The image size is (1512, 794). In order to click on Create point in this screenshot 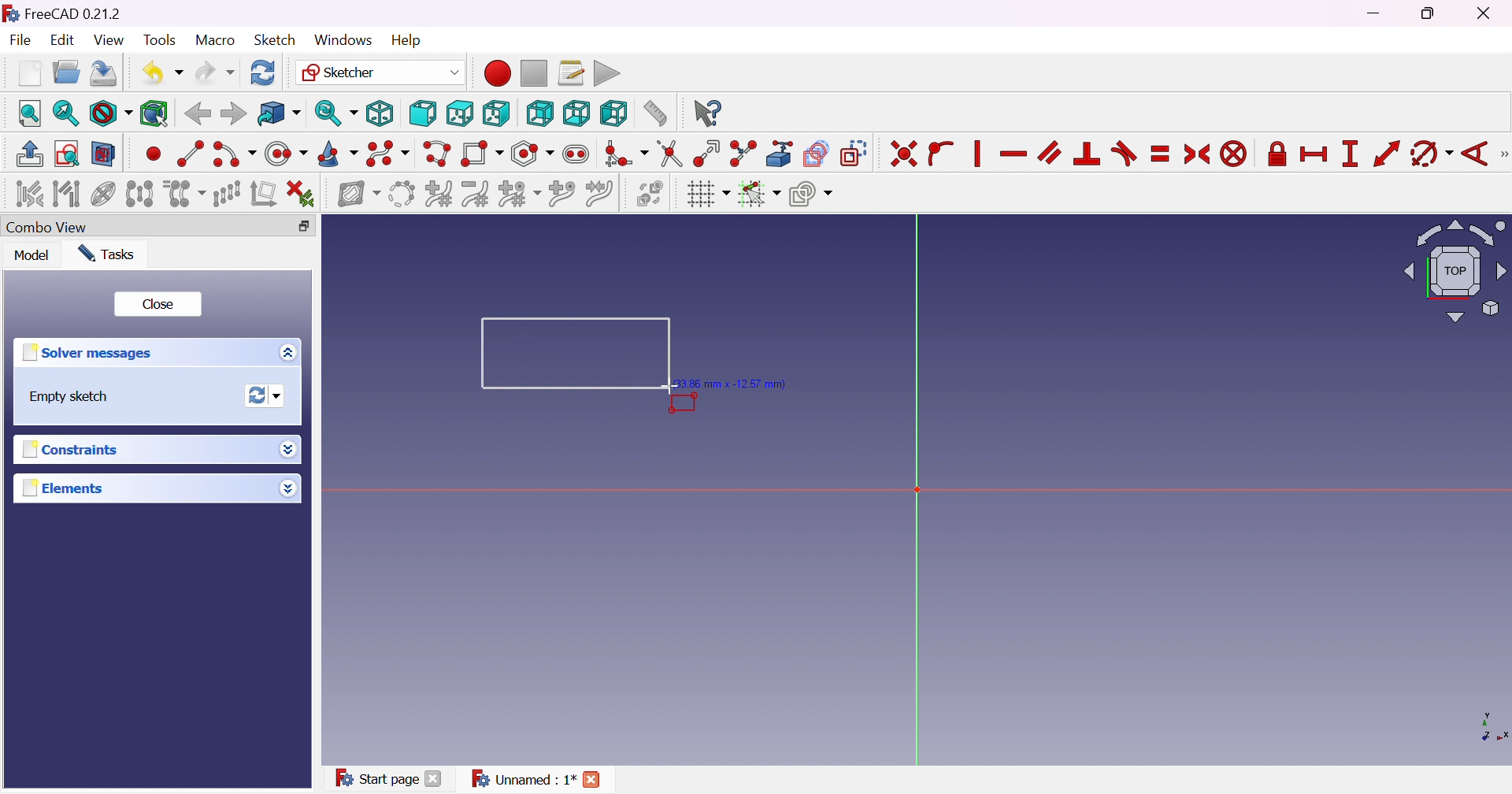, I will do `click(153, 156)`.